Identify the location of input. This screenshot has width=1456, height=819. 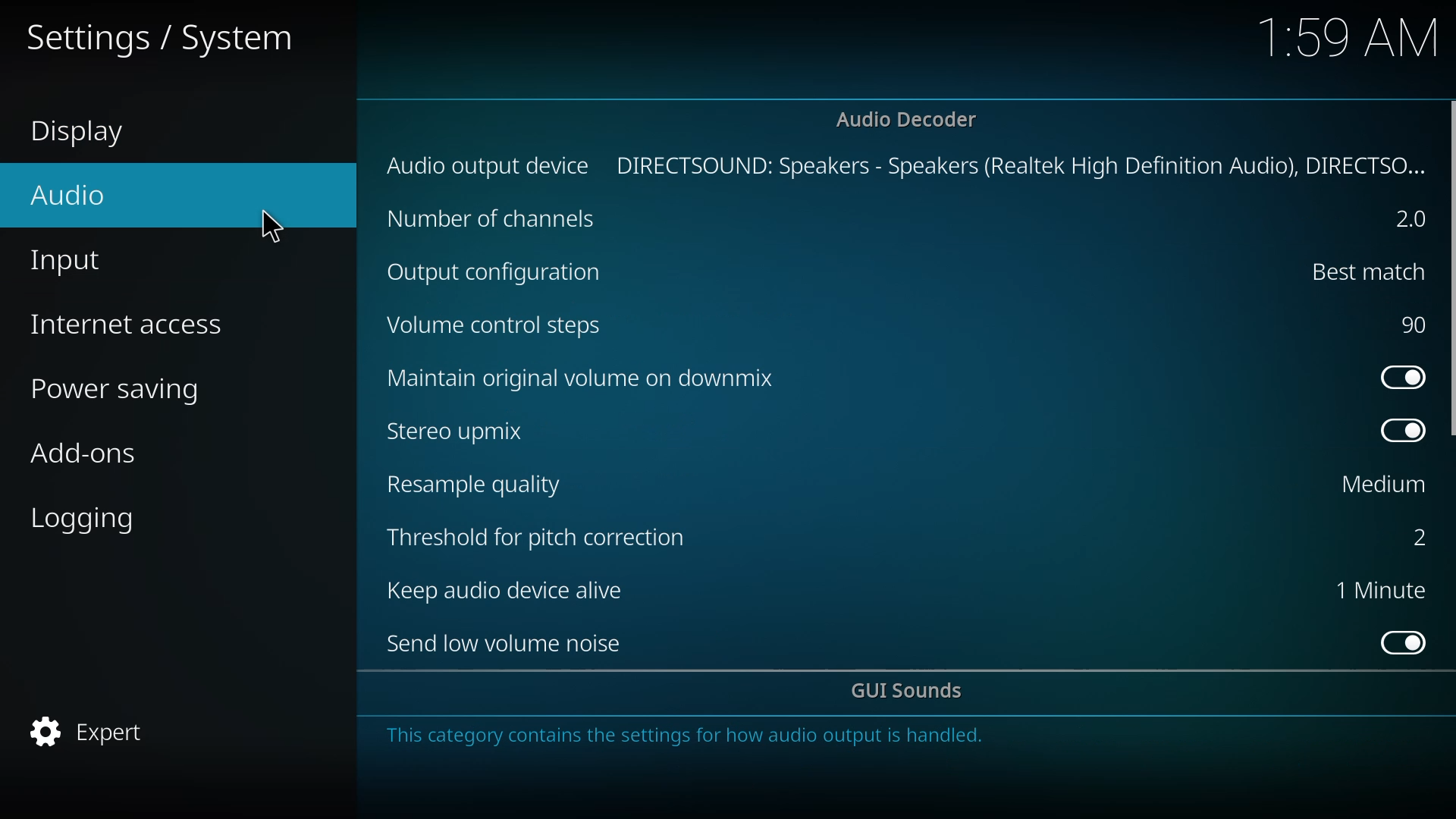
(70, 262).